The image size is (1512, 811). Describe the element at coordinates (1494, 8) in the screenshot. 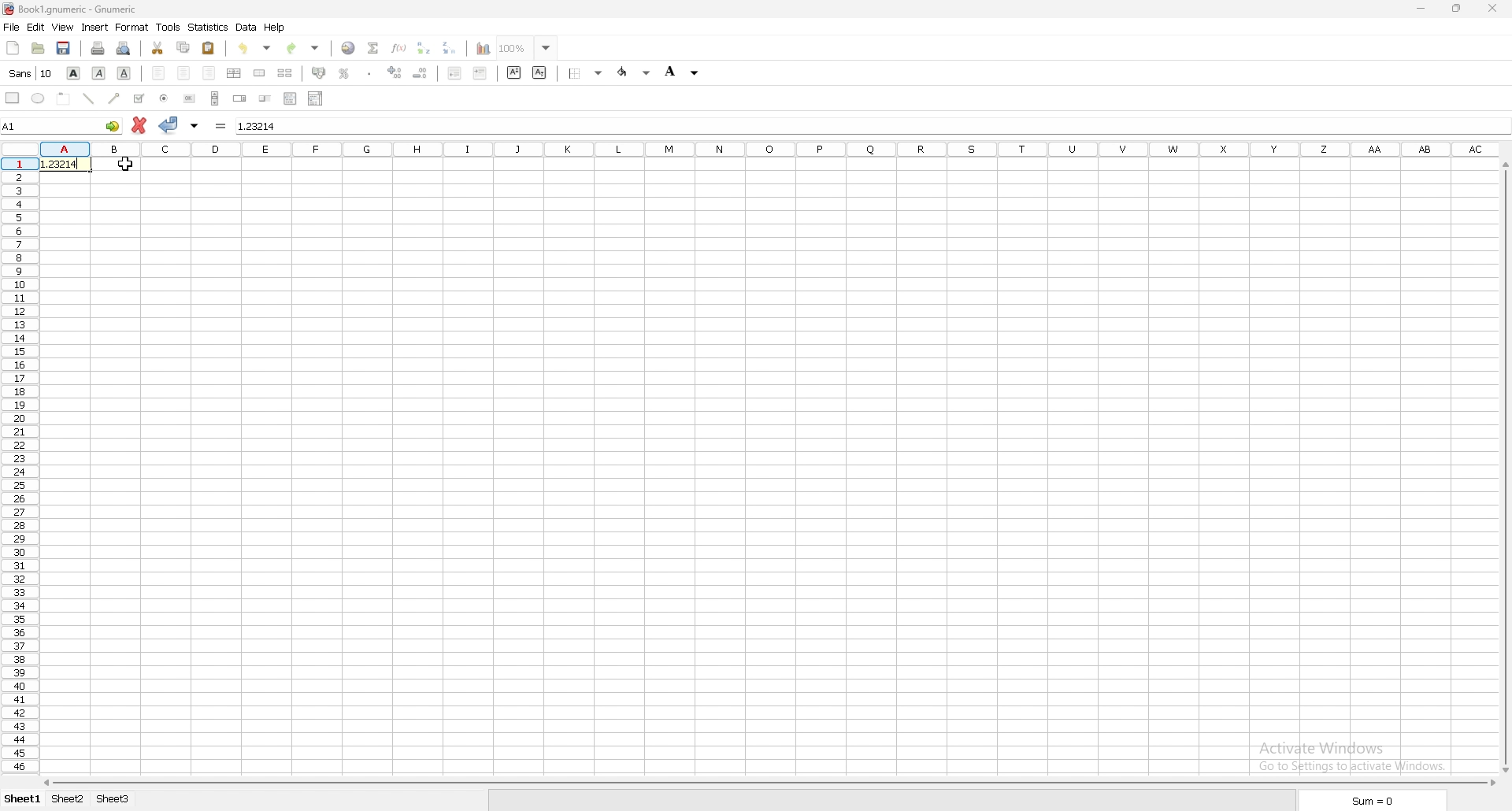

I see `close` at that location.